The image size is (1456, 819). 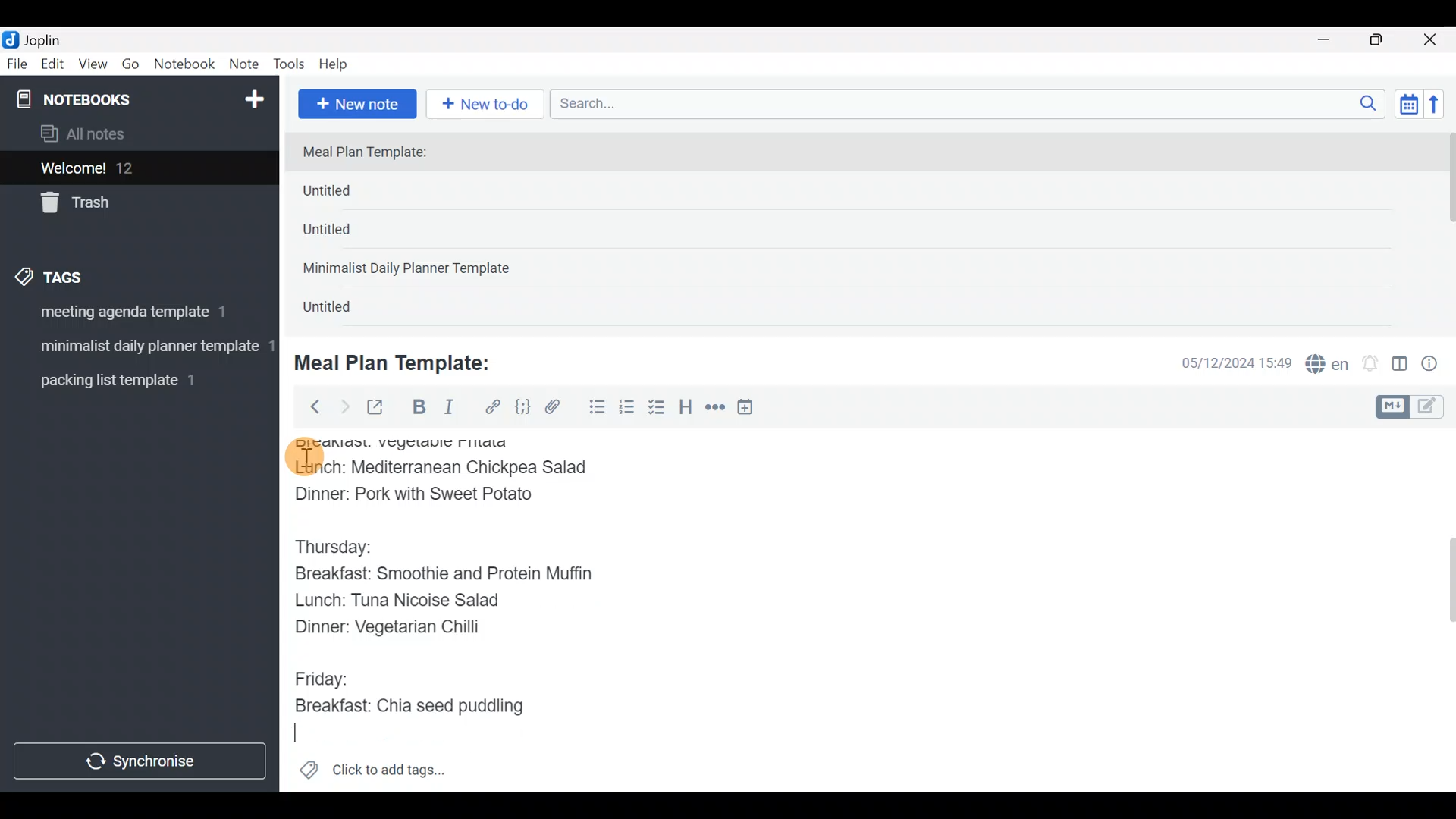 I want to click on Numbered list, so click(x=627, y=410).